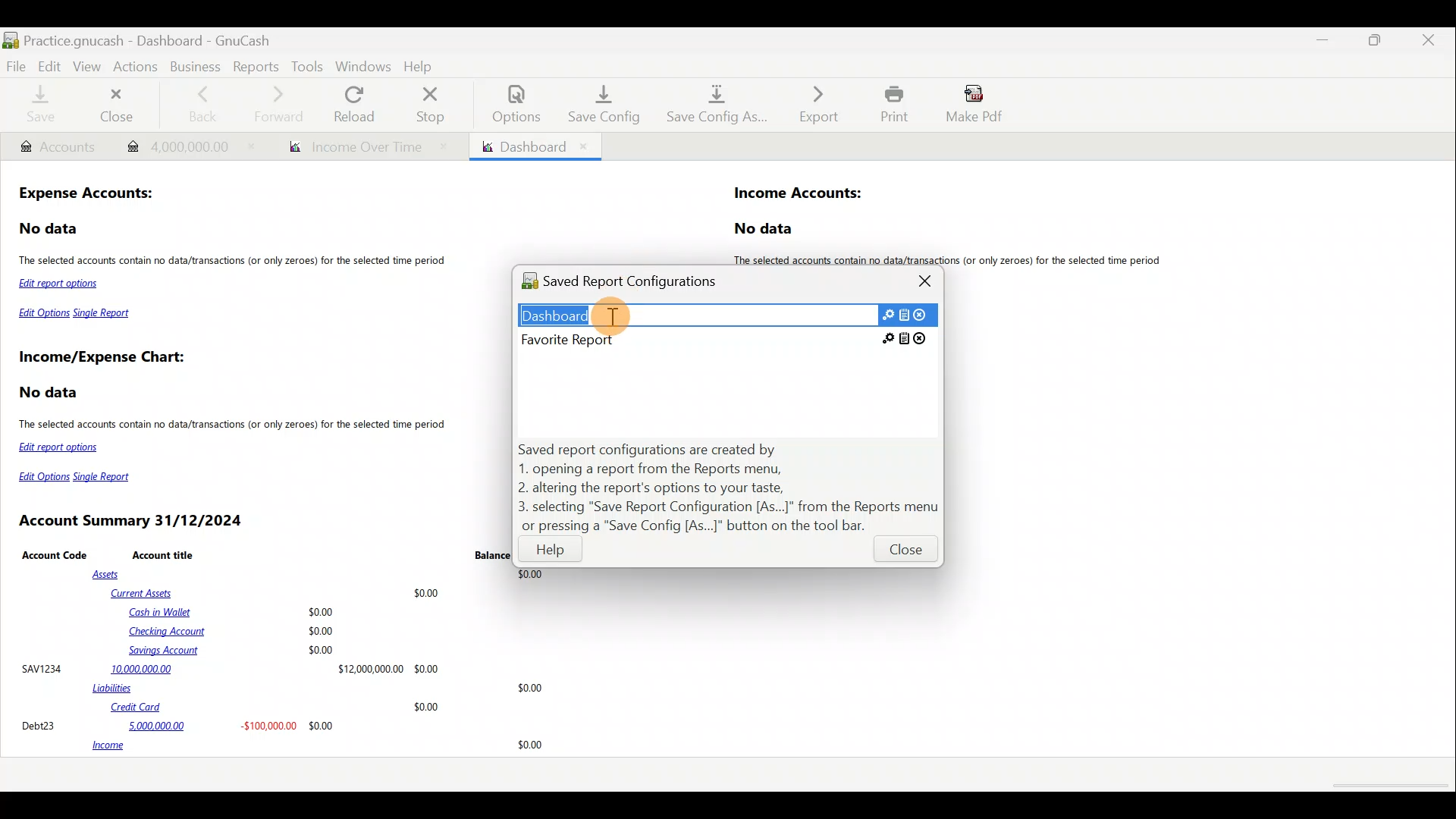 Image resolution: width=1456 pixels, height=819 pixels. What do you see at coordinates (254, 65) in the screenshot?
I see `Reports` at bounding box center [254, 65].